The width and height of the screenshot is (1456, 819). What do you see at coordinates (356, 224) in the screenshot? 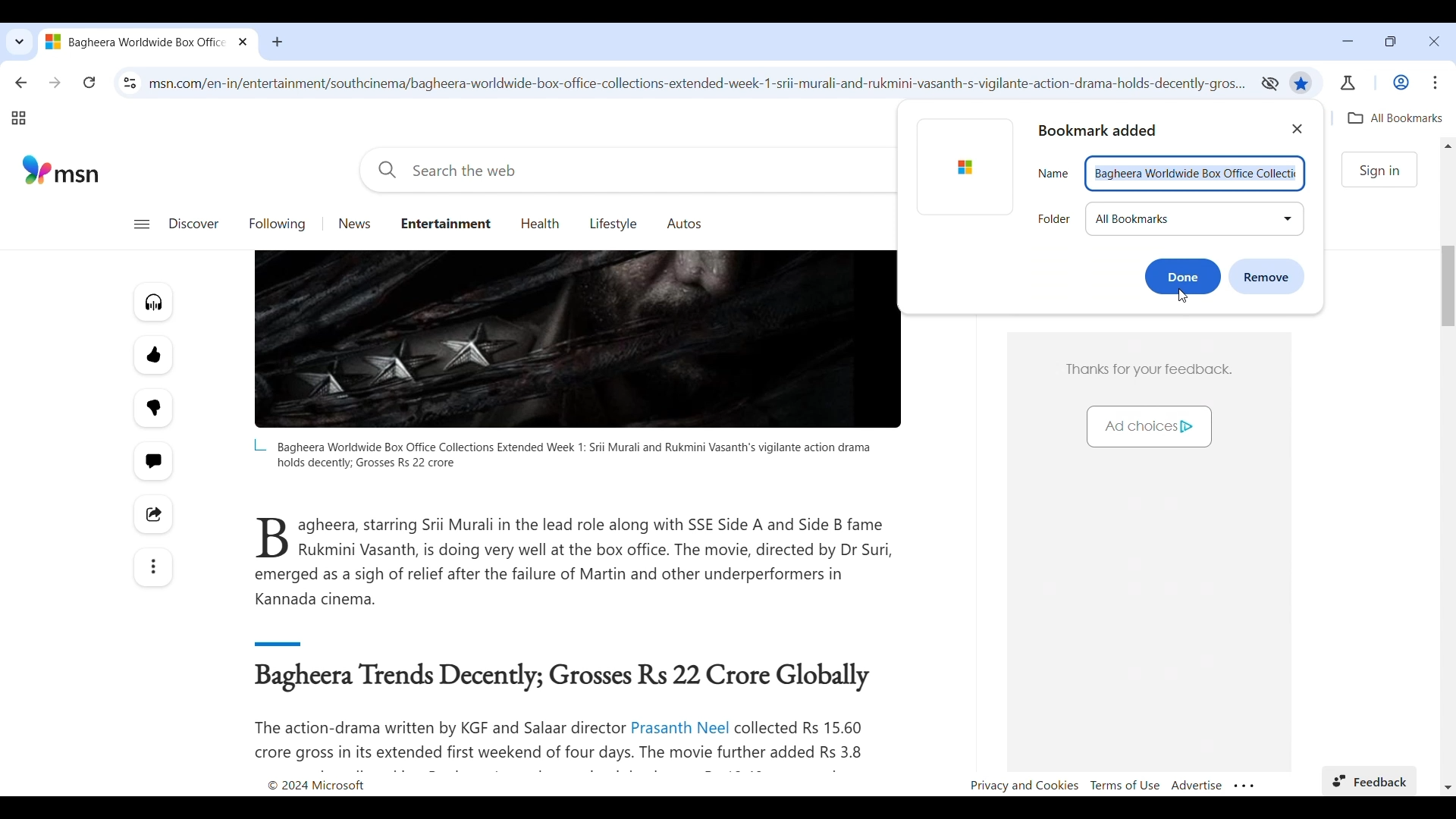
I see `Go to news page` at bounding box center [356, 224].